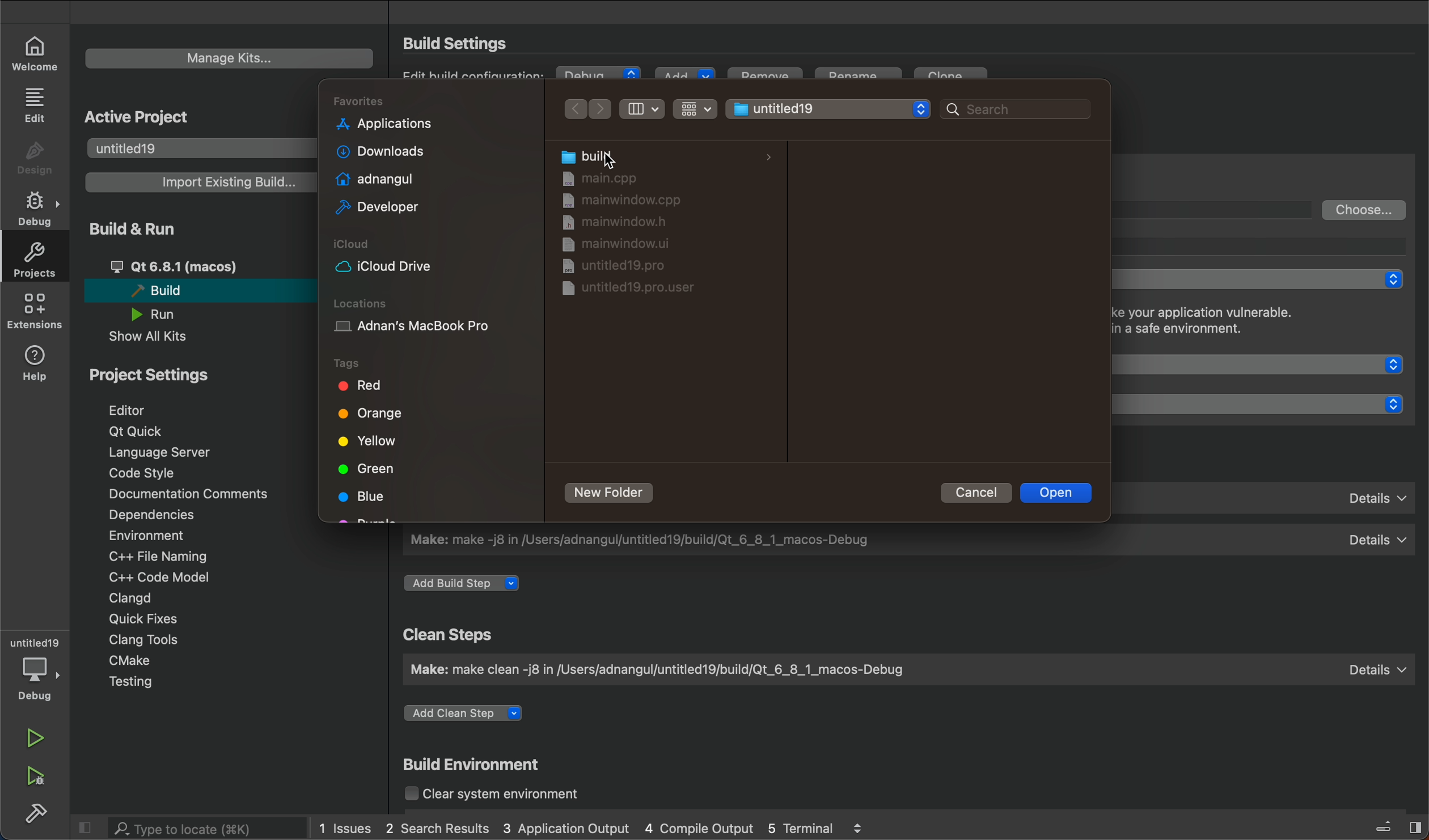 The height and width of the screenshot is (840, 1429). I want to click on language server, so click(171, 452).